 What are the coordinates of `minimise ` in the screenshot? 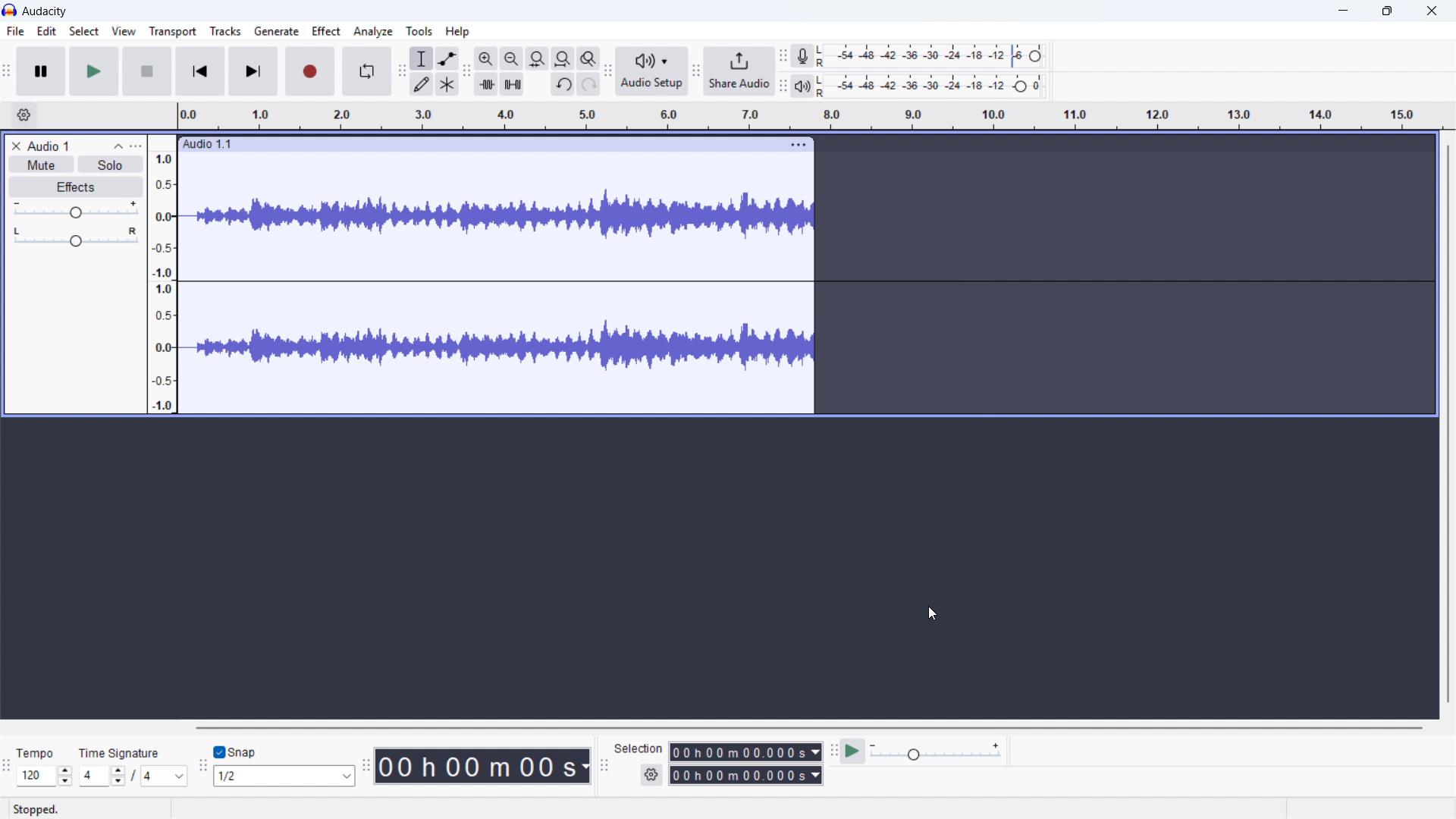 It's located at (1341, 11).